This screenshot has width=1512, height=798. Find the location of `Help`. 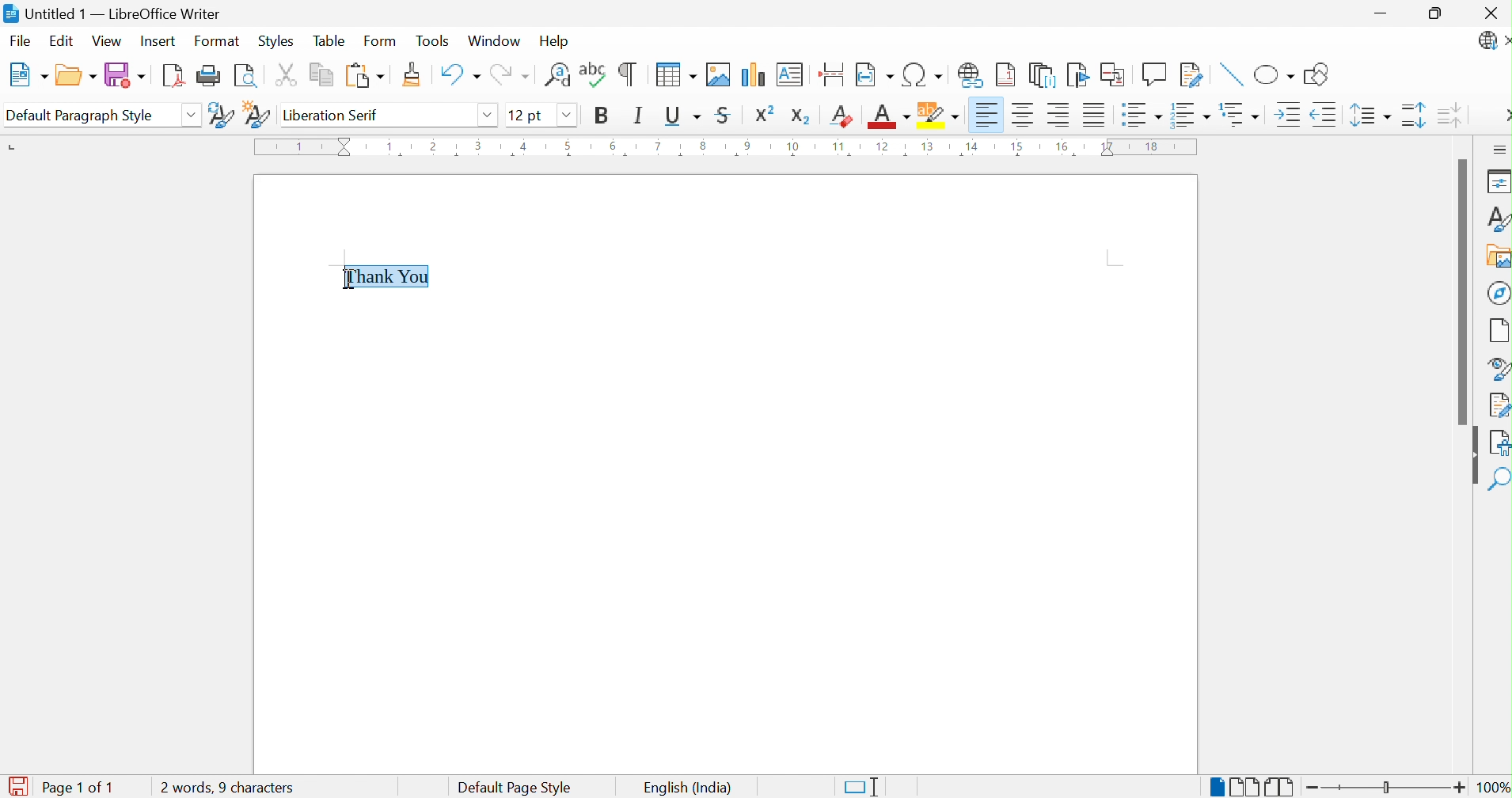

Help is located at coordinates (553, 42).